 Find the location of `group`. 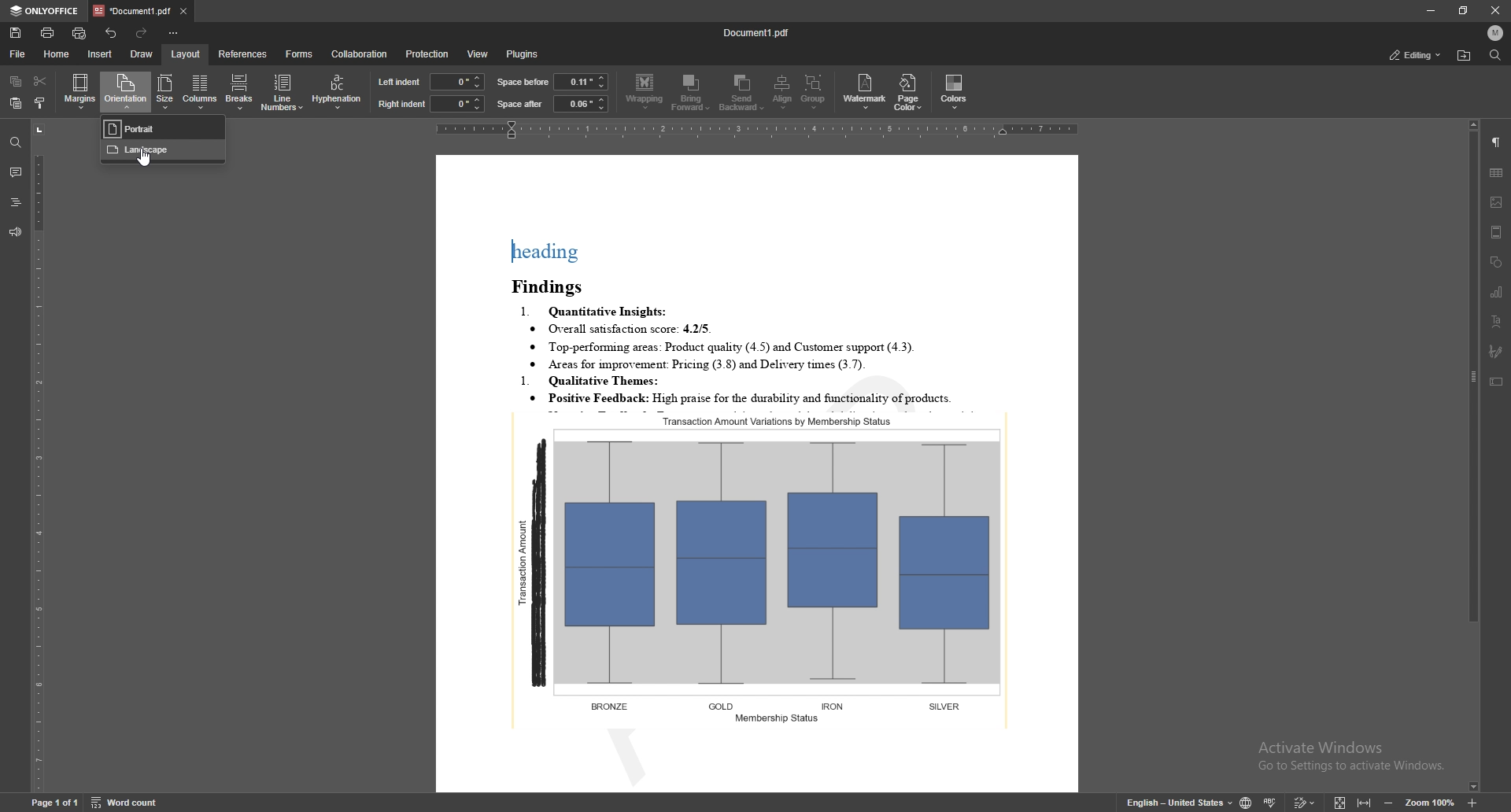

group is located at coordinates (813, 91).